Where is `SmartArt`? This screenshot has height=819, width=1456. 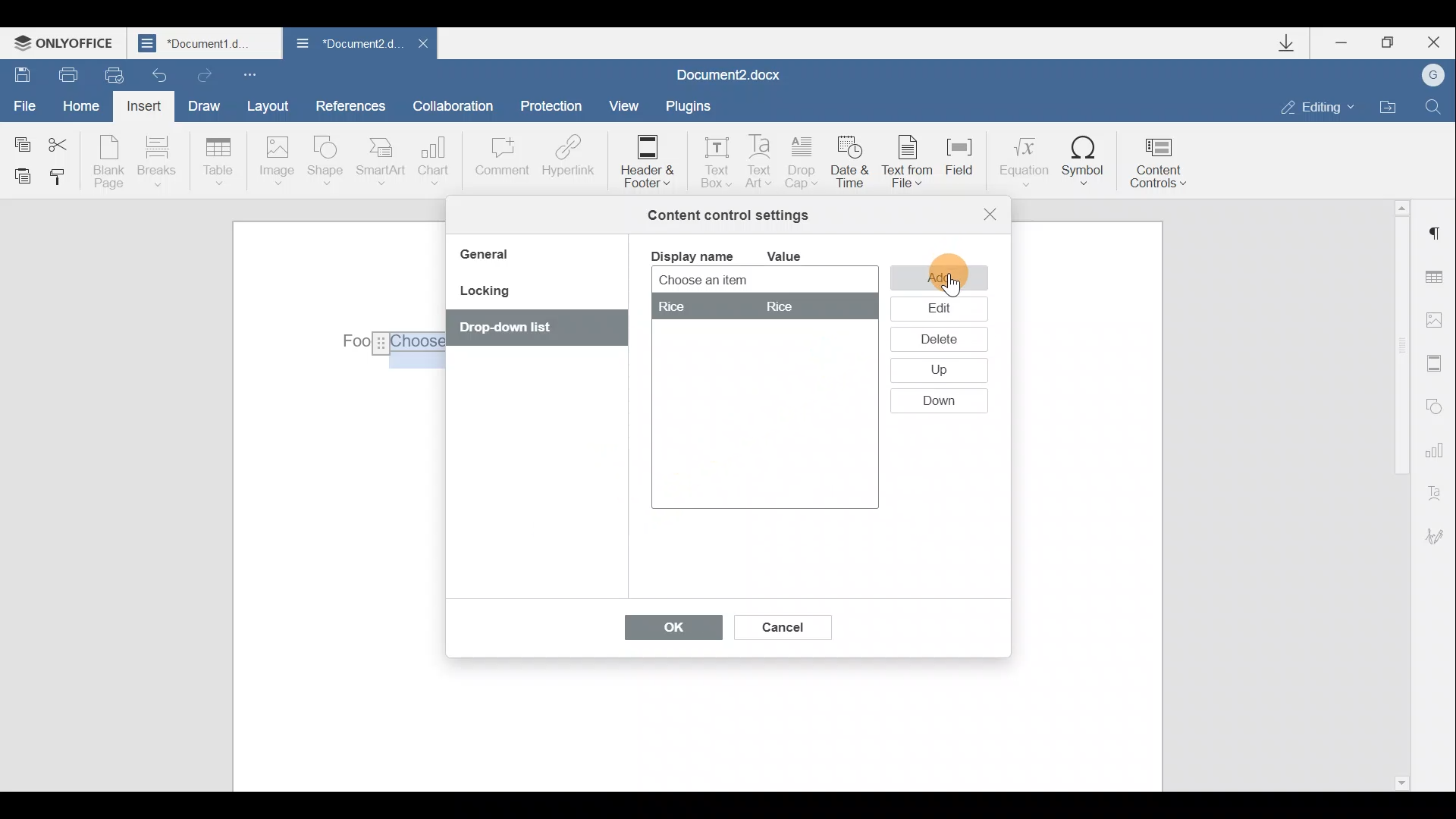
SmartArt is located at coordinates (381, 160).